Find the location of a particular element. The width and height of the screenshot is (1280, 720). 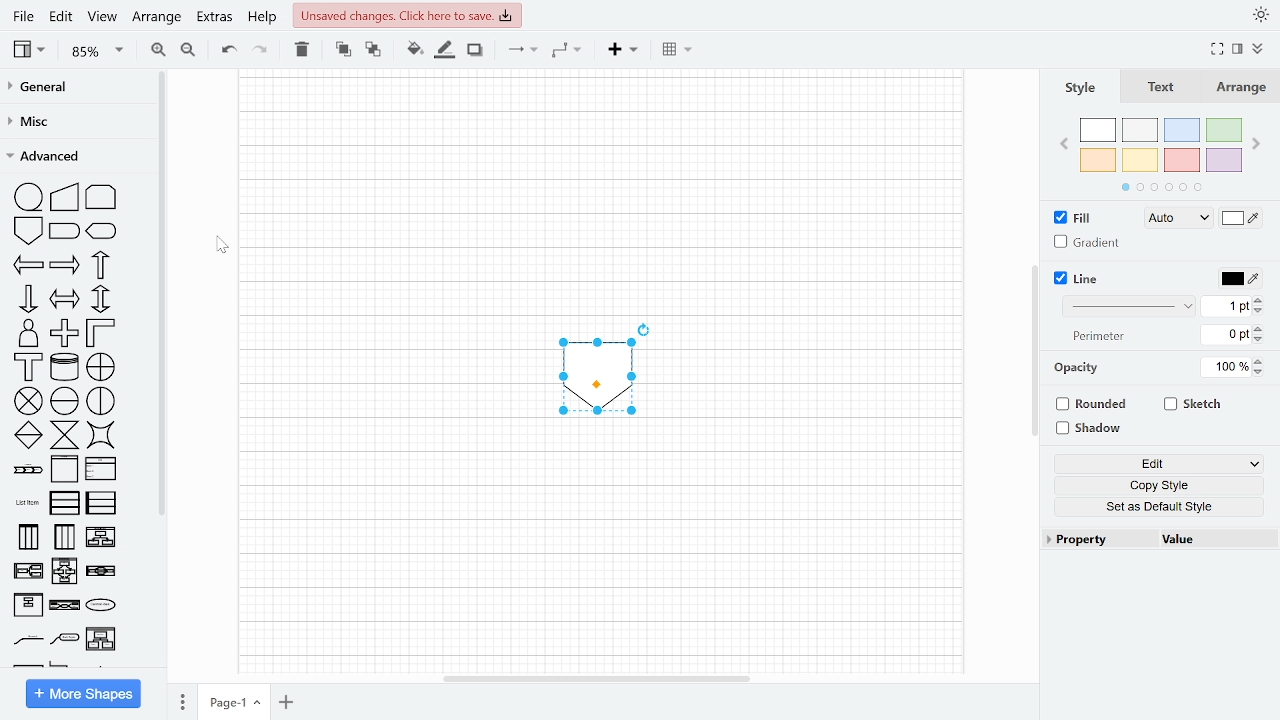

horizontal pool is located at coordinates (66, 503).